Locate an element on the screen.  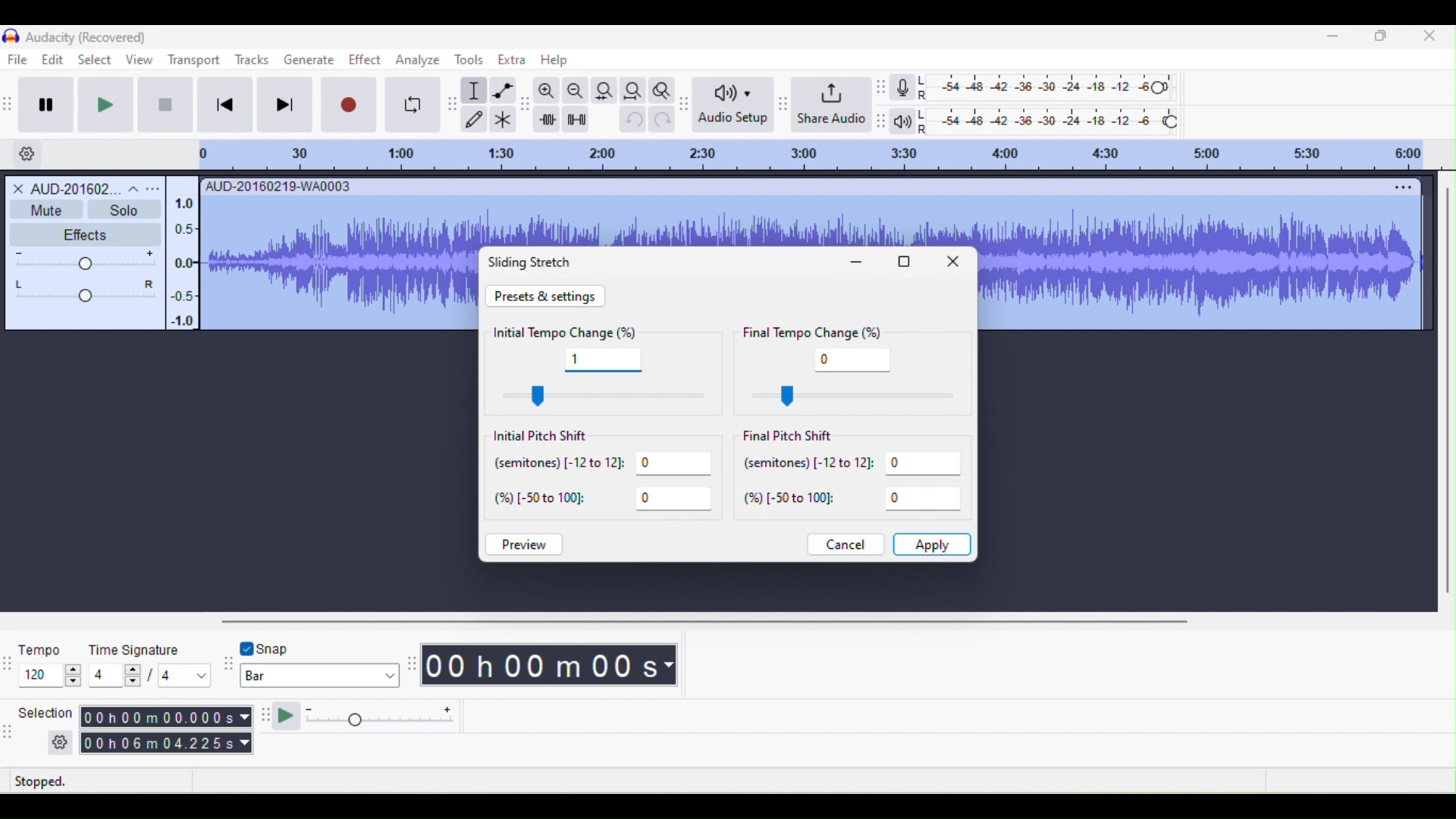
edit is located at coordinates (49, 60).